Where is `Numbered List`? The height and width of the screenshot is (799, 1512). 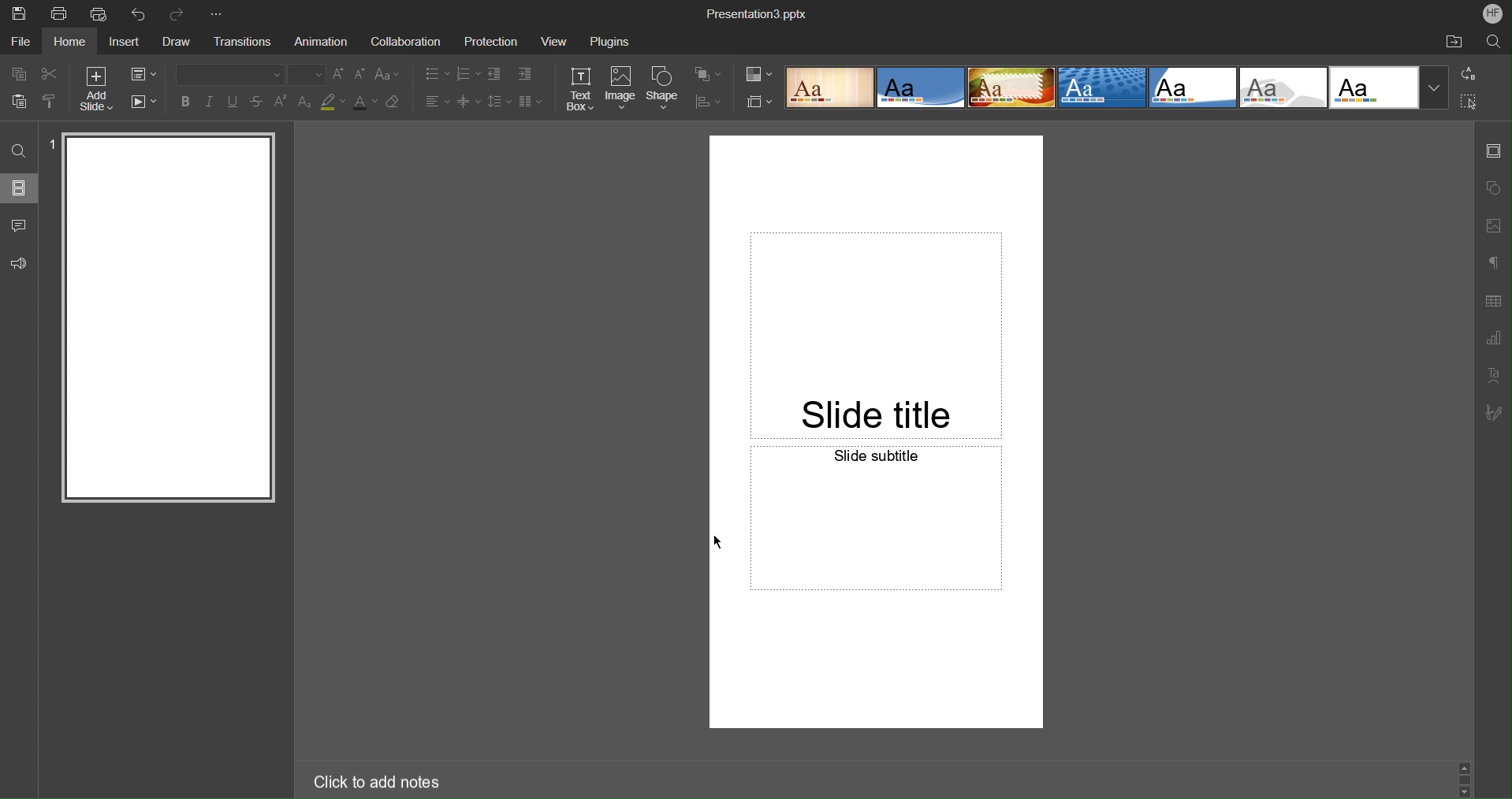 Numbered List is located at coordinates (467, 73).